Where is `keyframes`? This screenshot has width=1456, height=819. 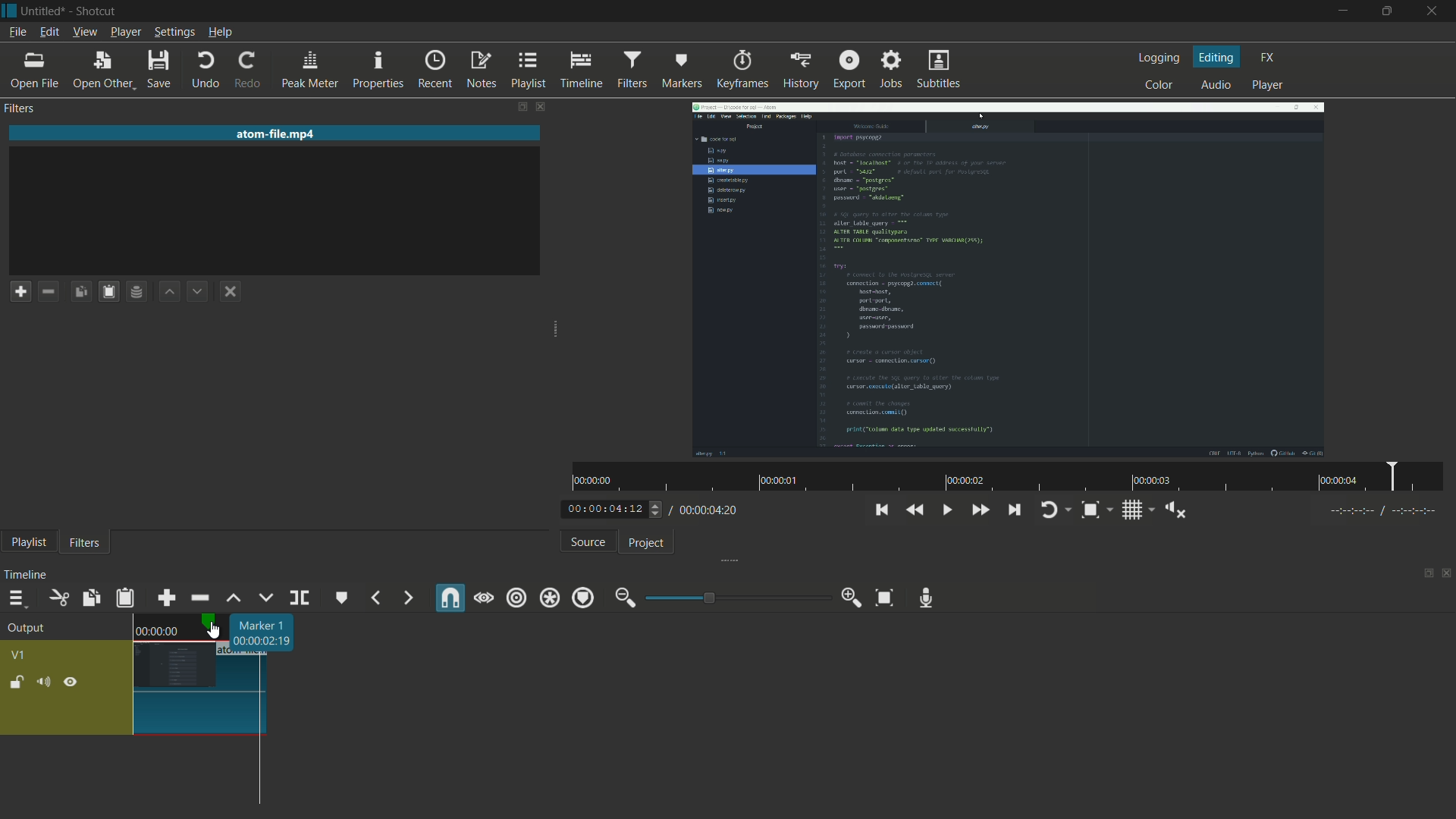 keyframes is located at coordinates (740, 69).